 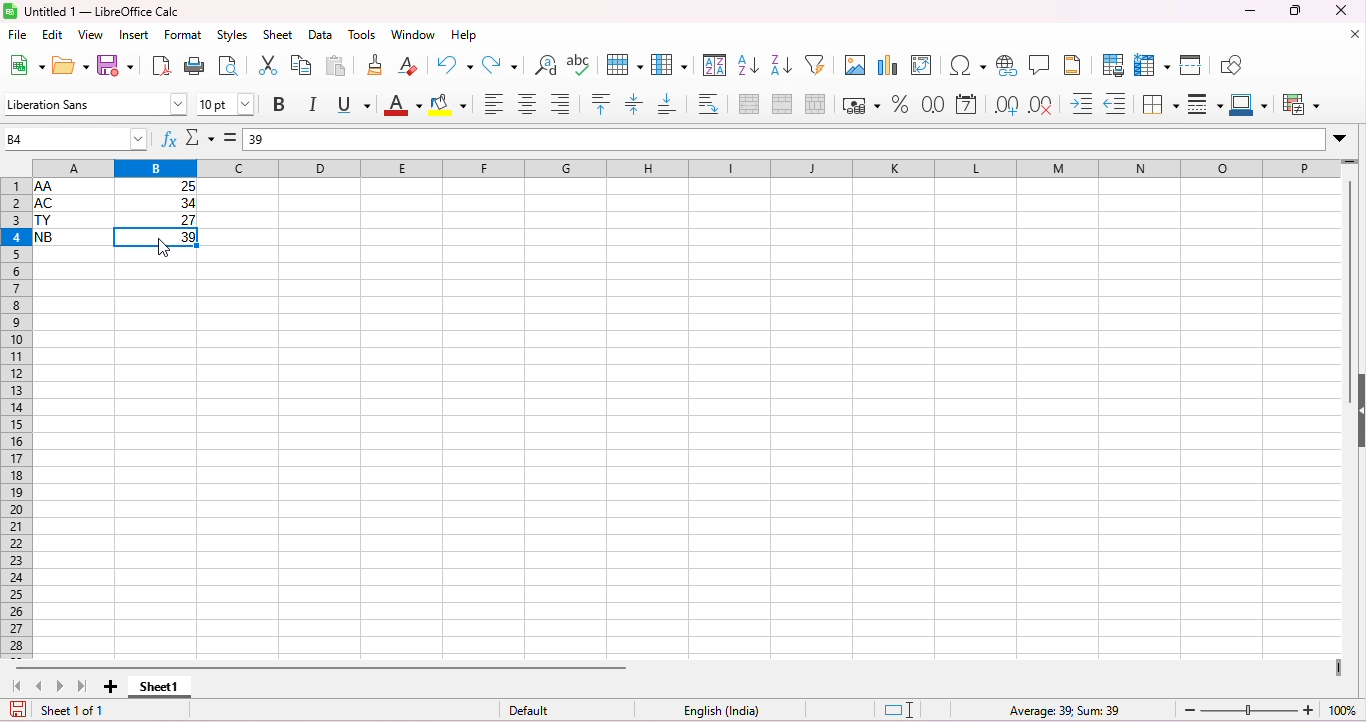 What do you see at coordinates (715, 708) in the screenshot?
I see `language` at bounding box center [715, 708].